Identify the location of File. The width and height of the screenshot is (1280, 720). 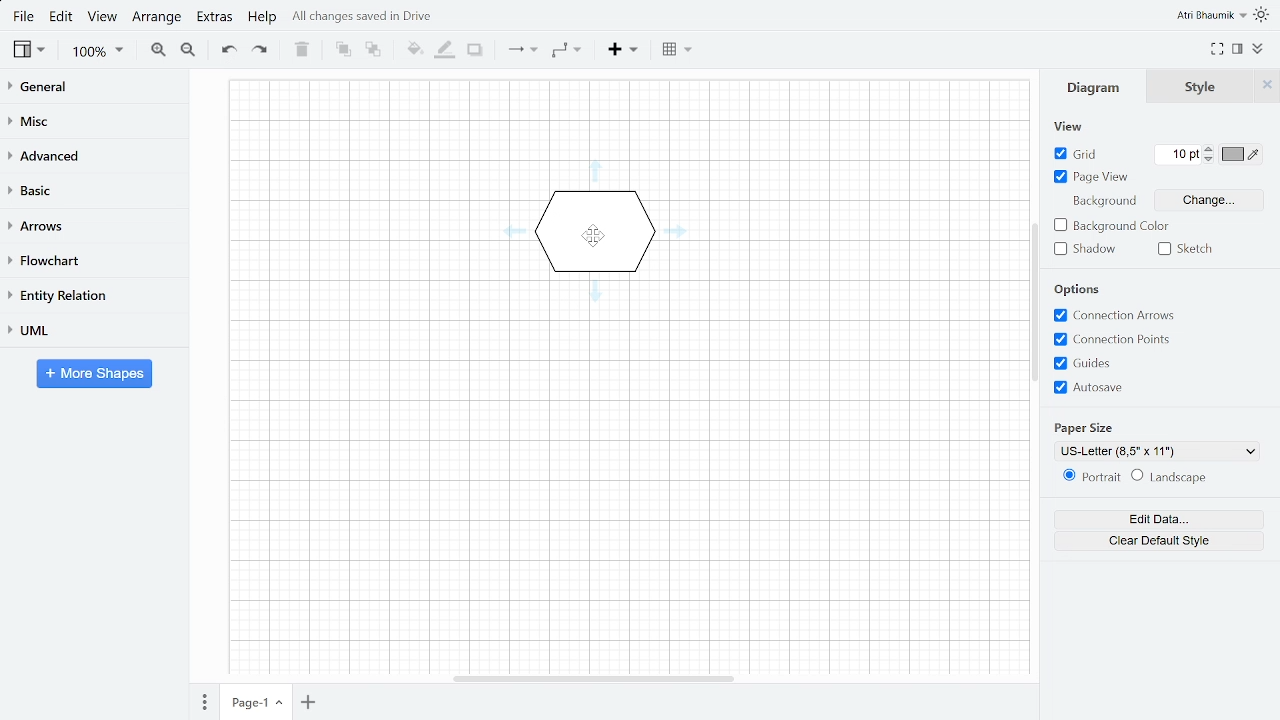
(25, 17).